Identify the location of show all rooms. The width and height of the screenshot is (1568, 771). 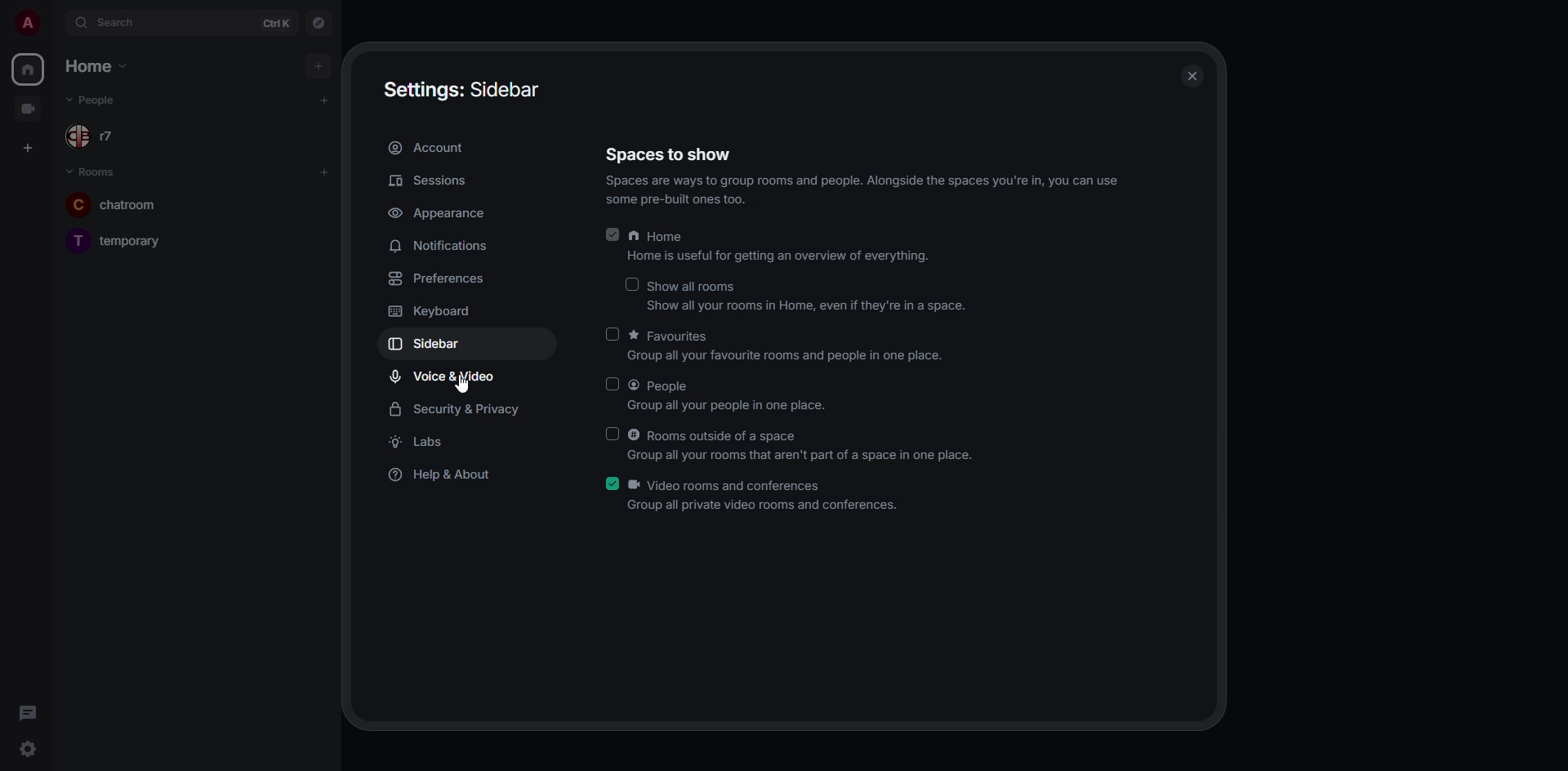
(808, 296).